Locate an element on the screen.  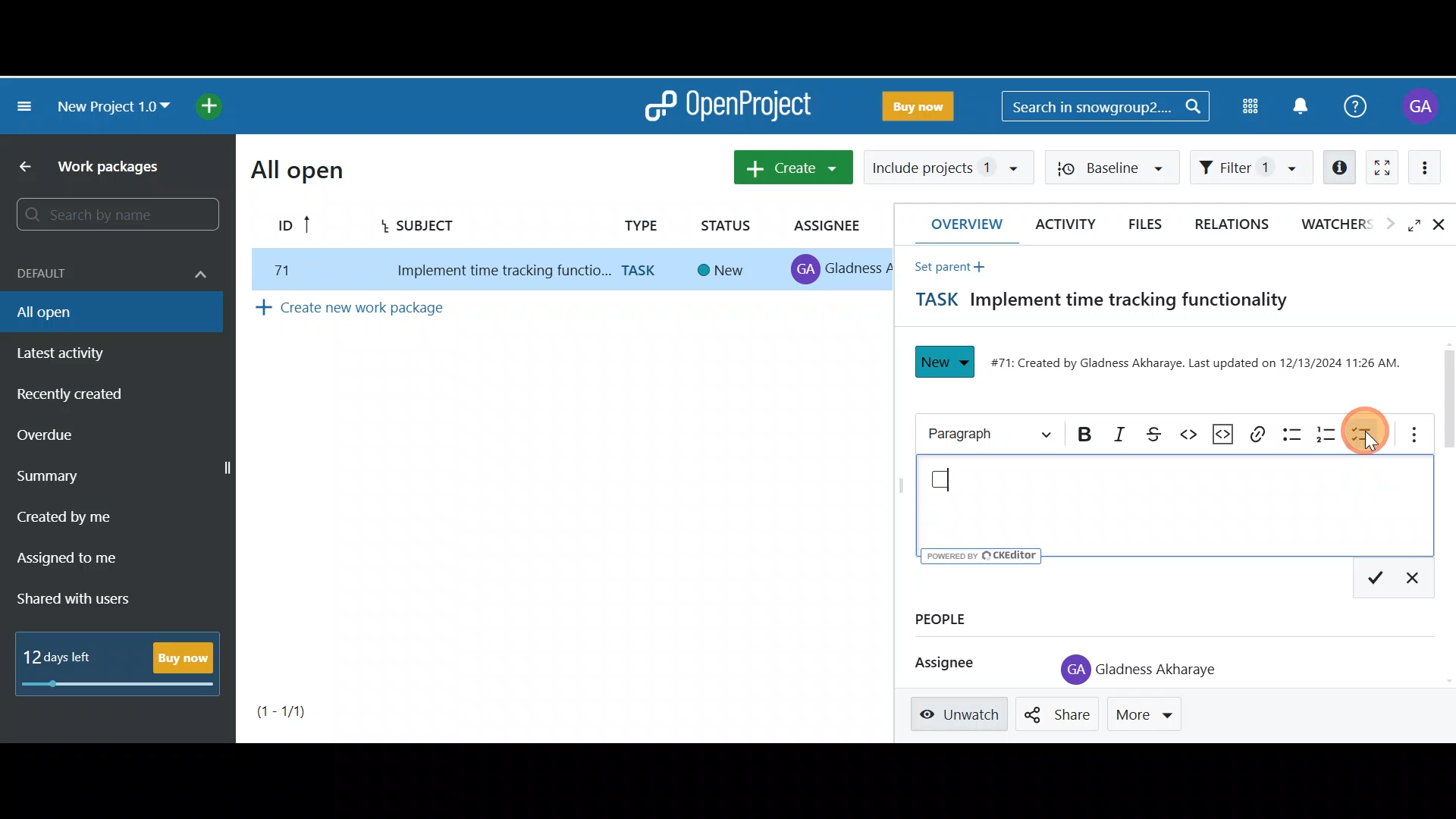
Activate zen mode is located at coordinates (1384, 168).